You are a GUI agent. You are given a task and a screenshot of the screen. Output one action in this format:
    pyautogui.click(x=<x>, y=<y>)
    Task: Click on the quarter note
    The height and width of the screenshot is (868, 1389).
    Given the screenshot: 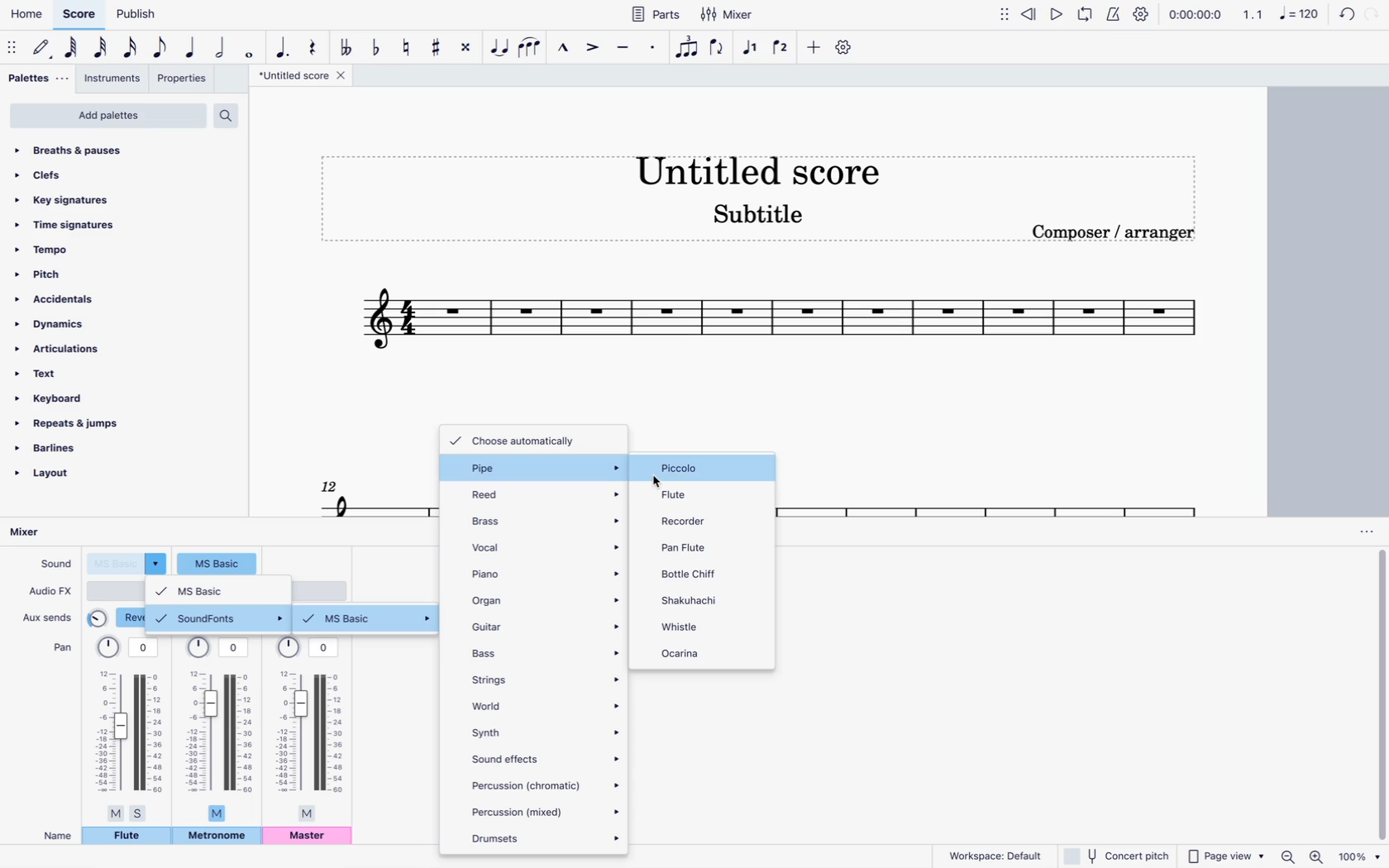 What is the action you would take?
    pyautogui.click(x=193, y=49)
    